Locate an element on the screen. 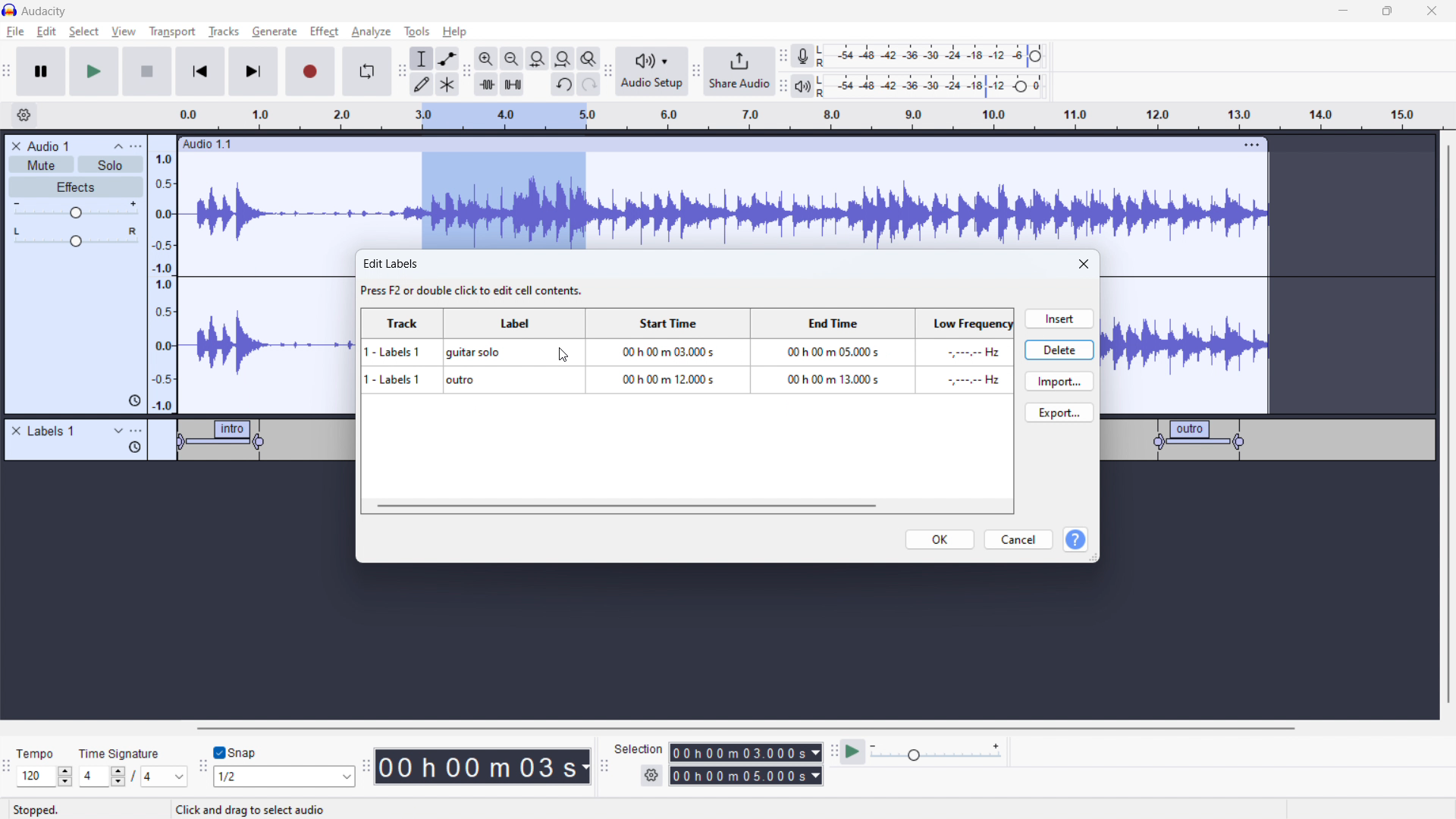  delete is located at coordinates (1059, 349).